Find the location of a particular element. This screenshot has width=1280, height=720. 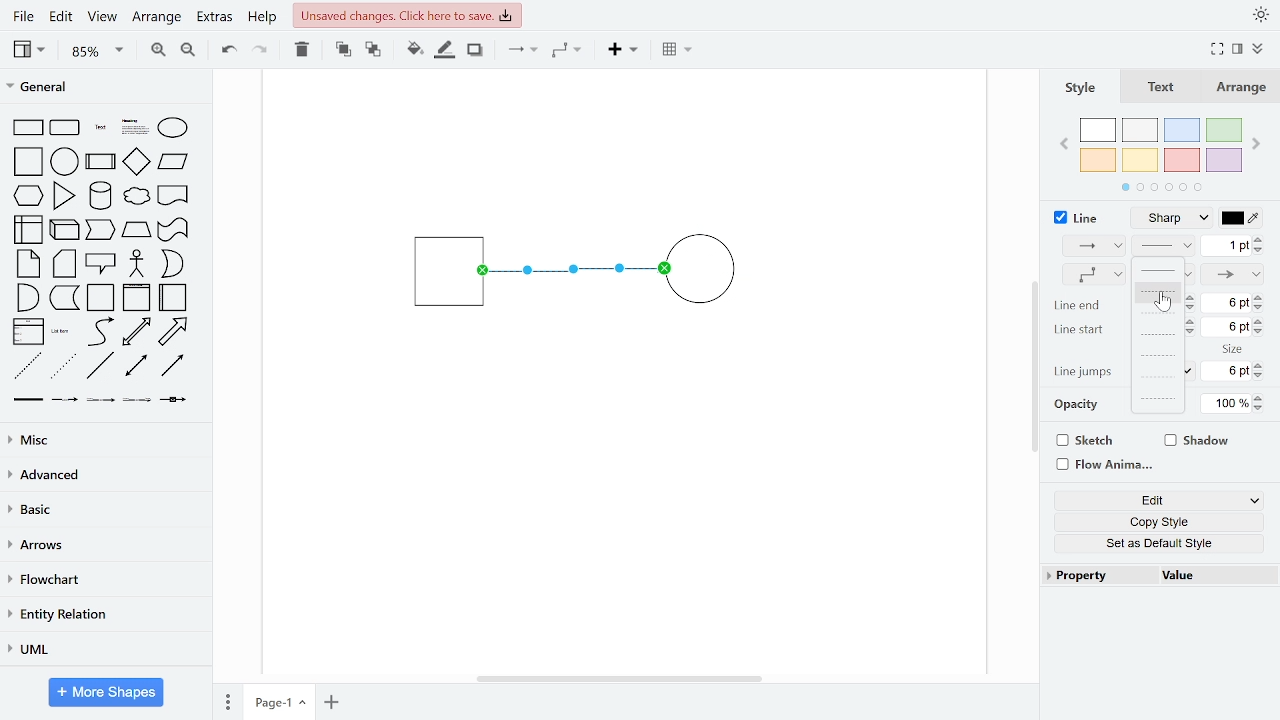

add page is located at coordinates (332, 702).